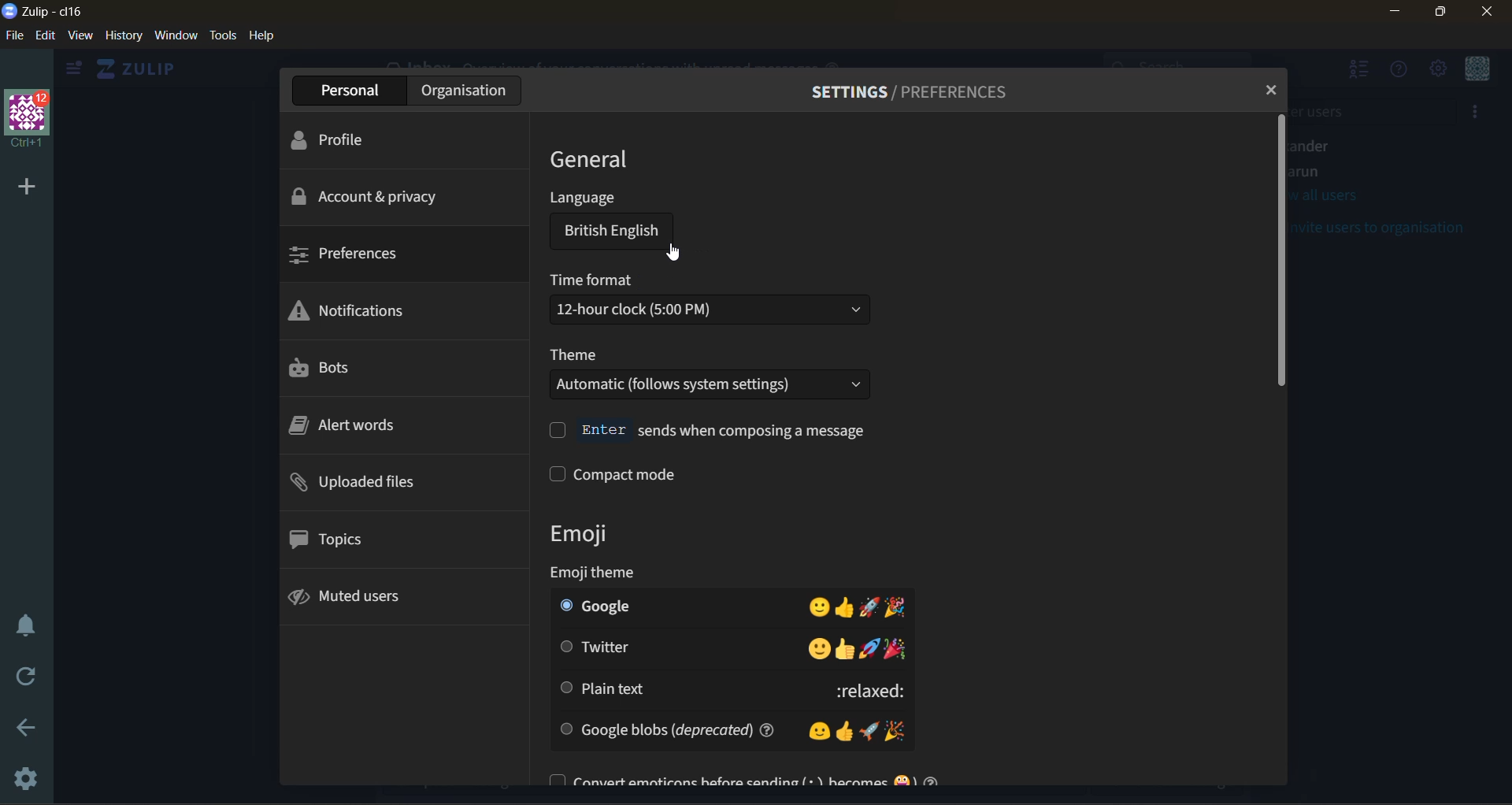 The image size is (1512, 805). I want to click on notifications, so click(353, 312).